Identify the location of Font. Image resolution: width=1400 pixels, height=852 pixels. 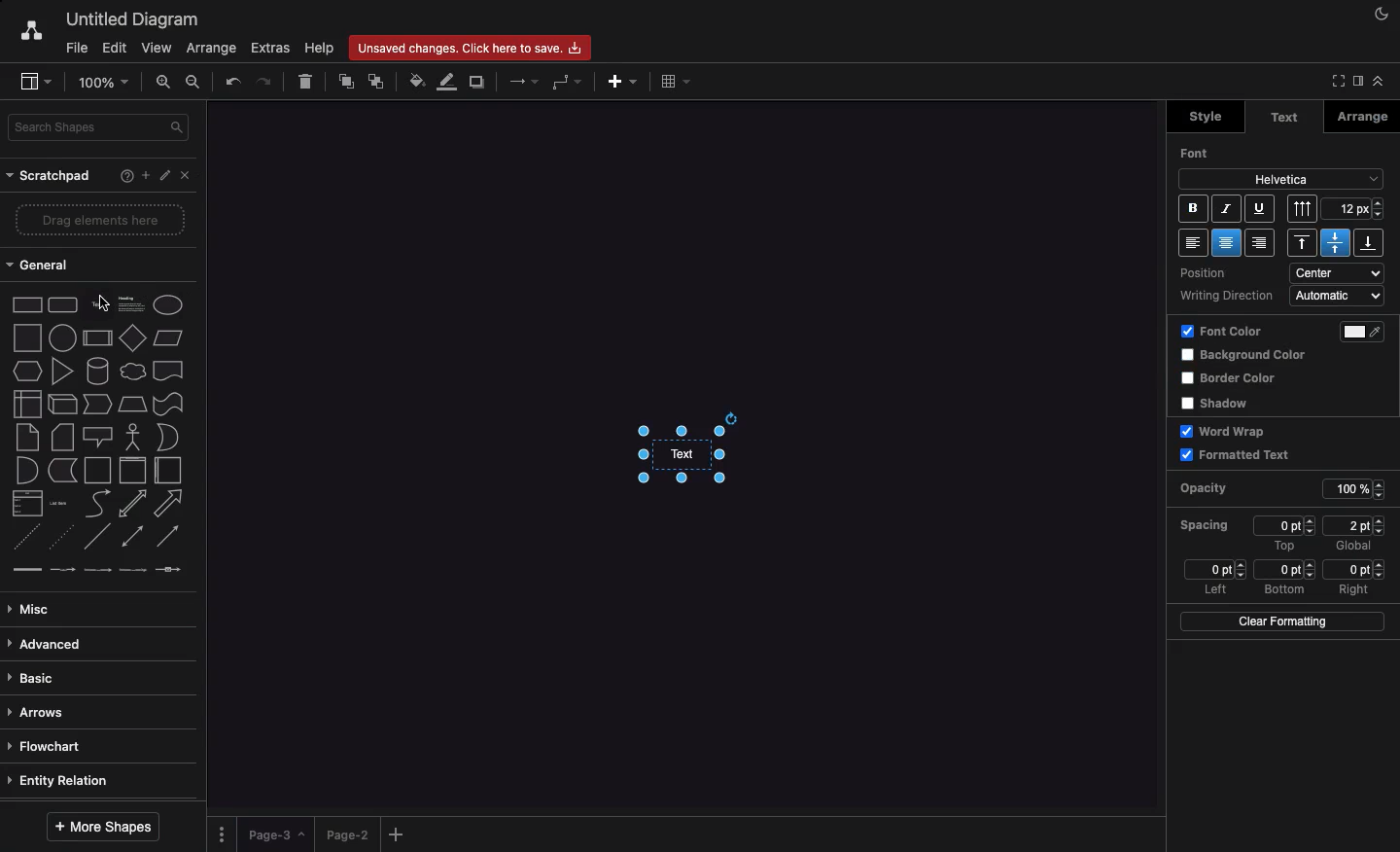
(1200, 153).